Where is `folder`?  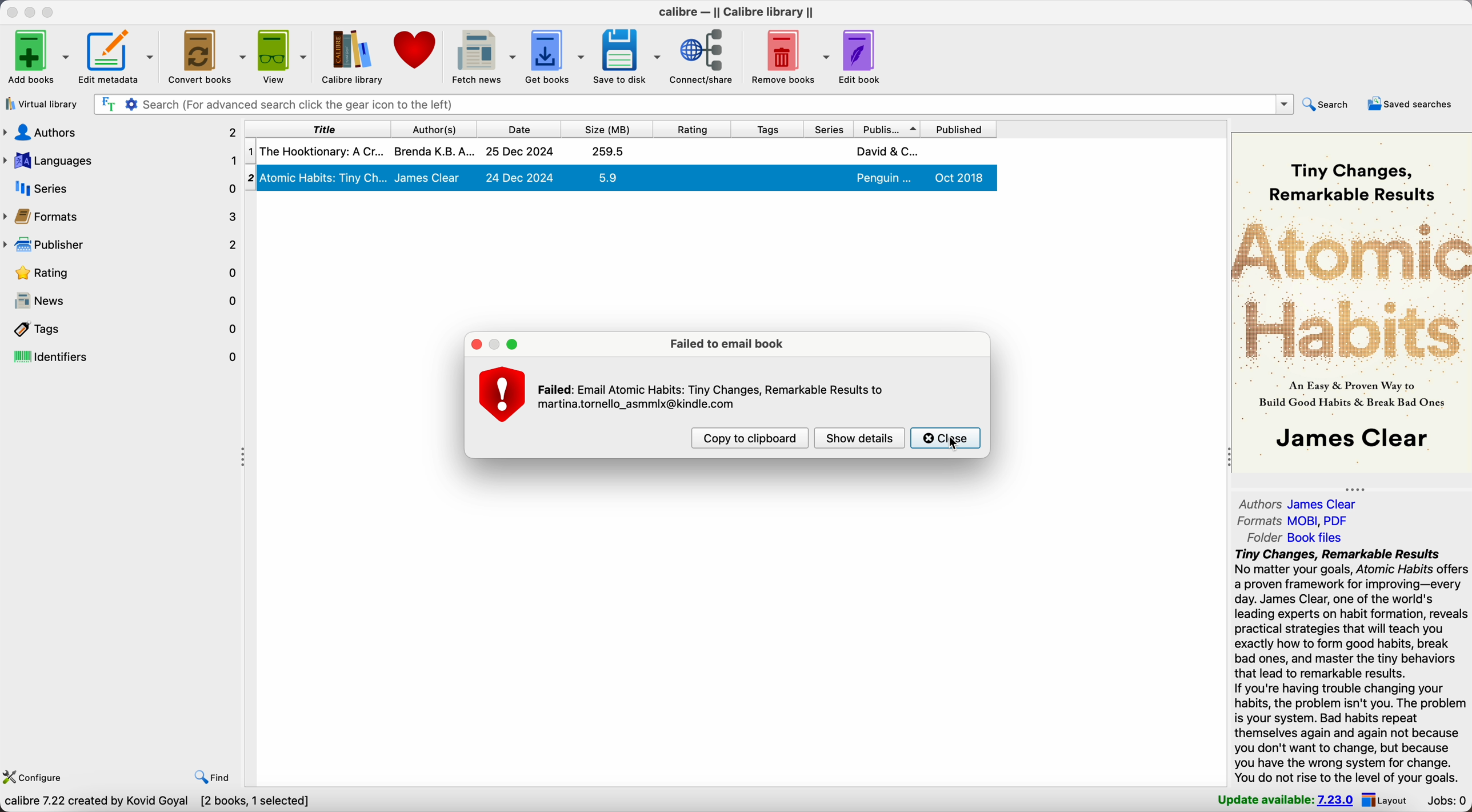 folder is located at coordinates (1290, 538).